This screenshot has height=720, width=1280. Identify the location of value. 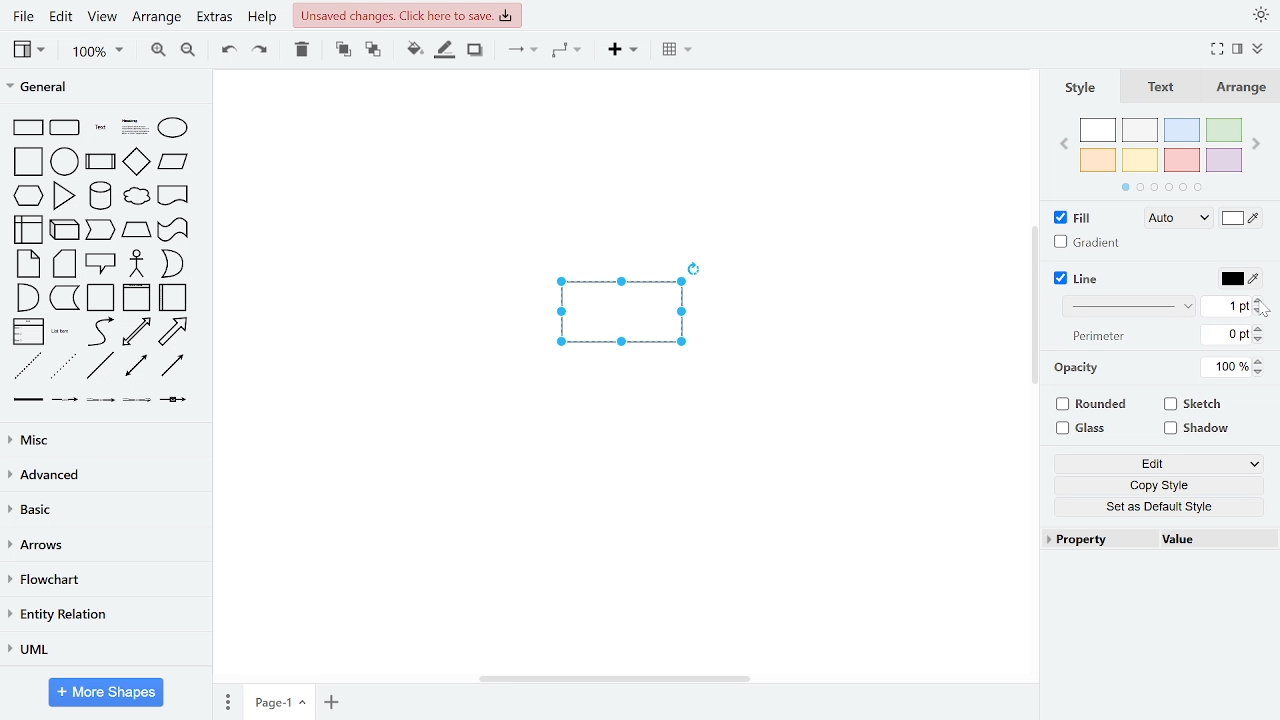
(1221, 540).